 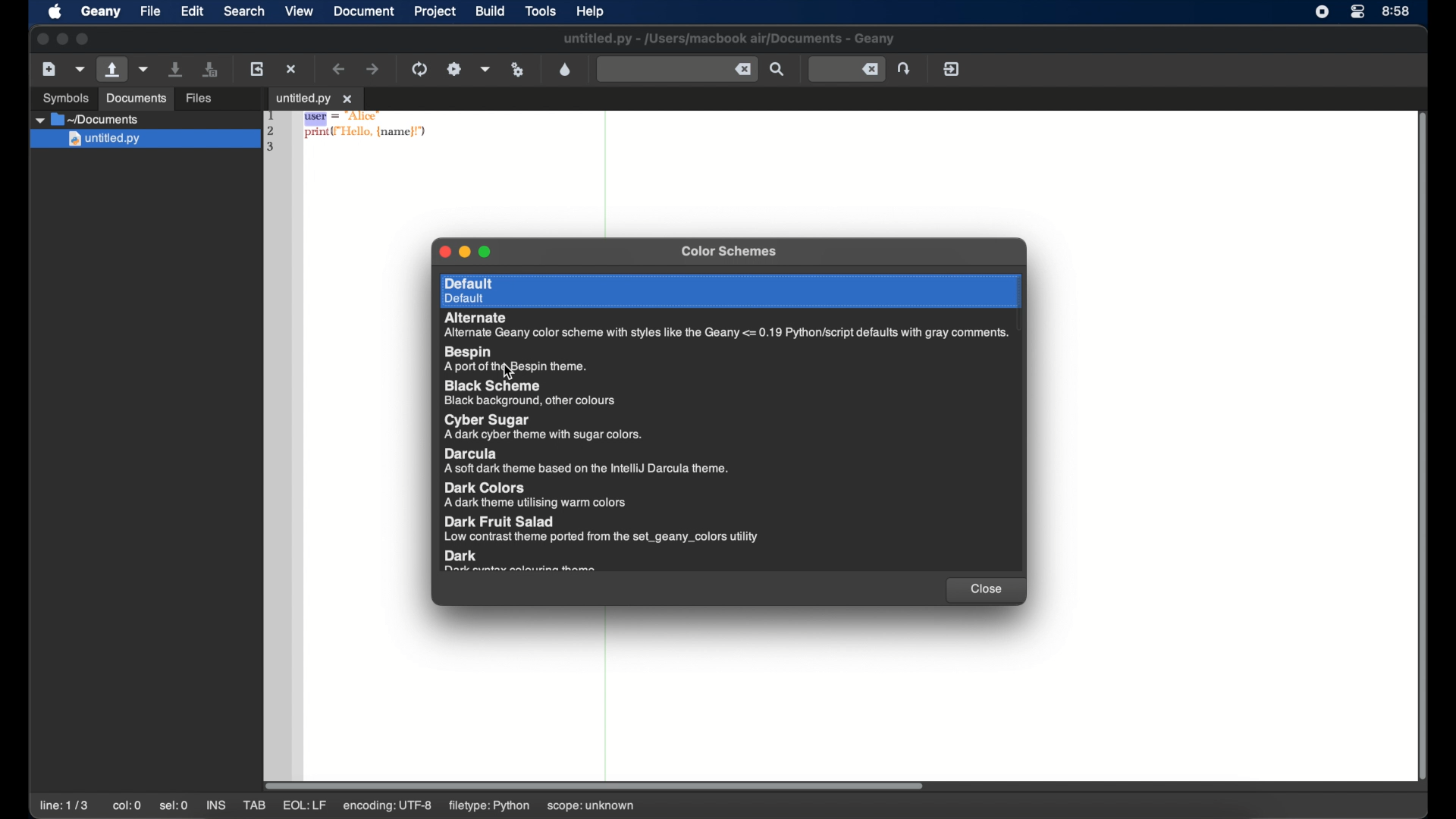 What do you see at coordinates (585, 462) in the screenshot?
I see `dracula` at bounding box center [585, 462].